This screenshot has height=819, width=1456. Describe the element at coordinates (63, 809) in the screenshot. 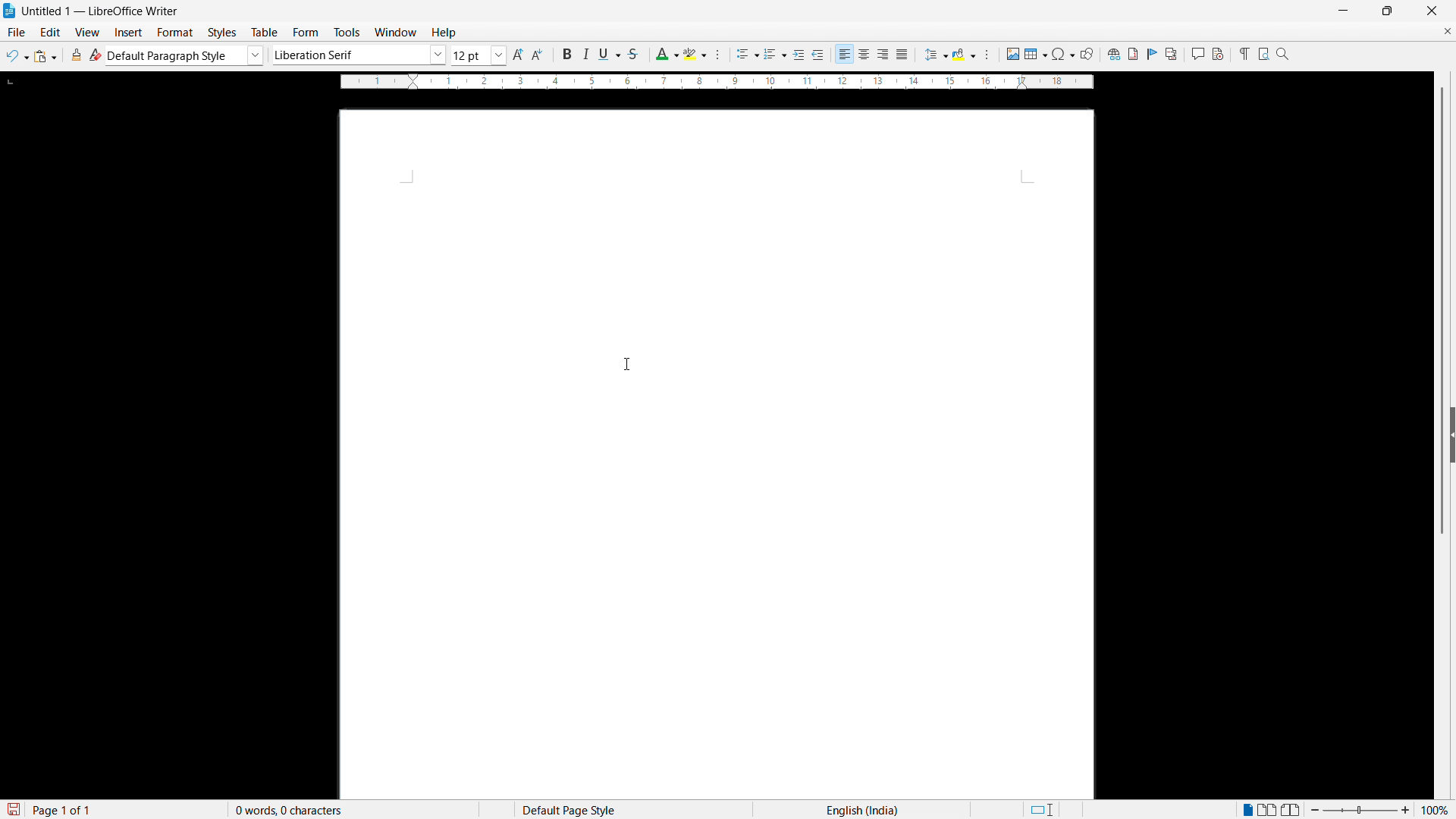

I see `Page 1 of 1` at that location.